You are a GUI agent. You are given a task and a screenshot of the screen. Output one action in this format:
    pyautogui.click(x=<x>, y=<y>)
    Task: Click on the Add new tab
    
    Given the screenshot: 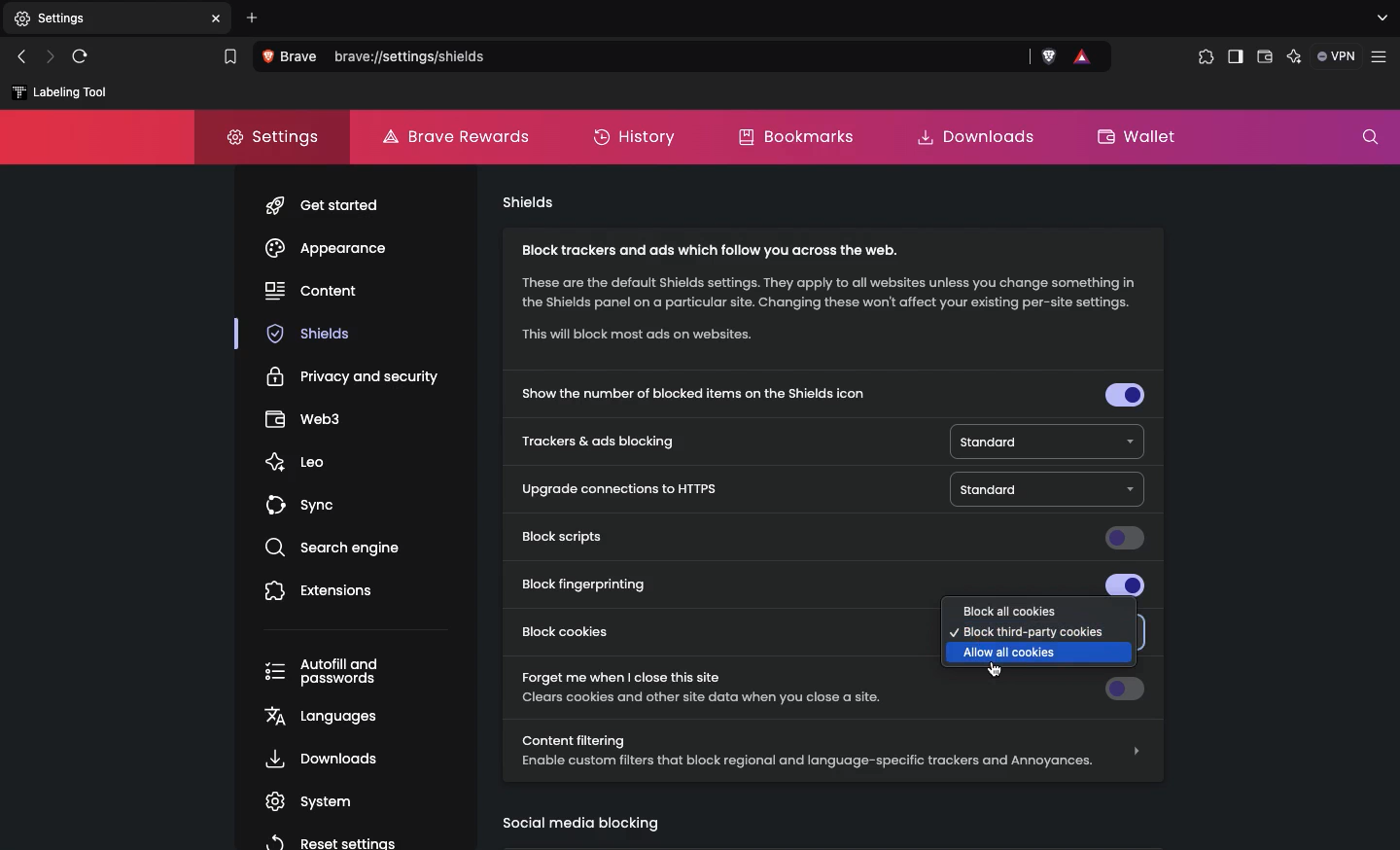 What is the action you would take?
    pyautogui.click(x=251, y=17)
    